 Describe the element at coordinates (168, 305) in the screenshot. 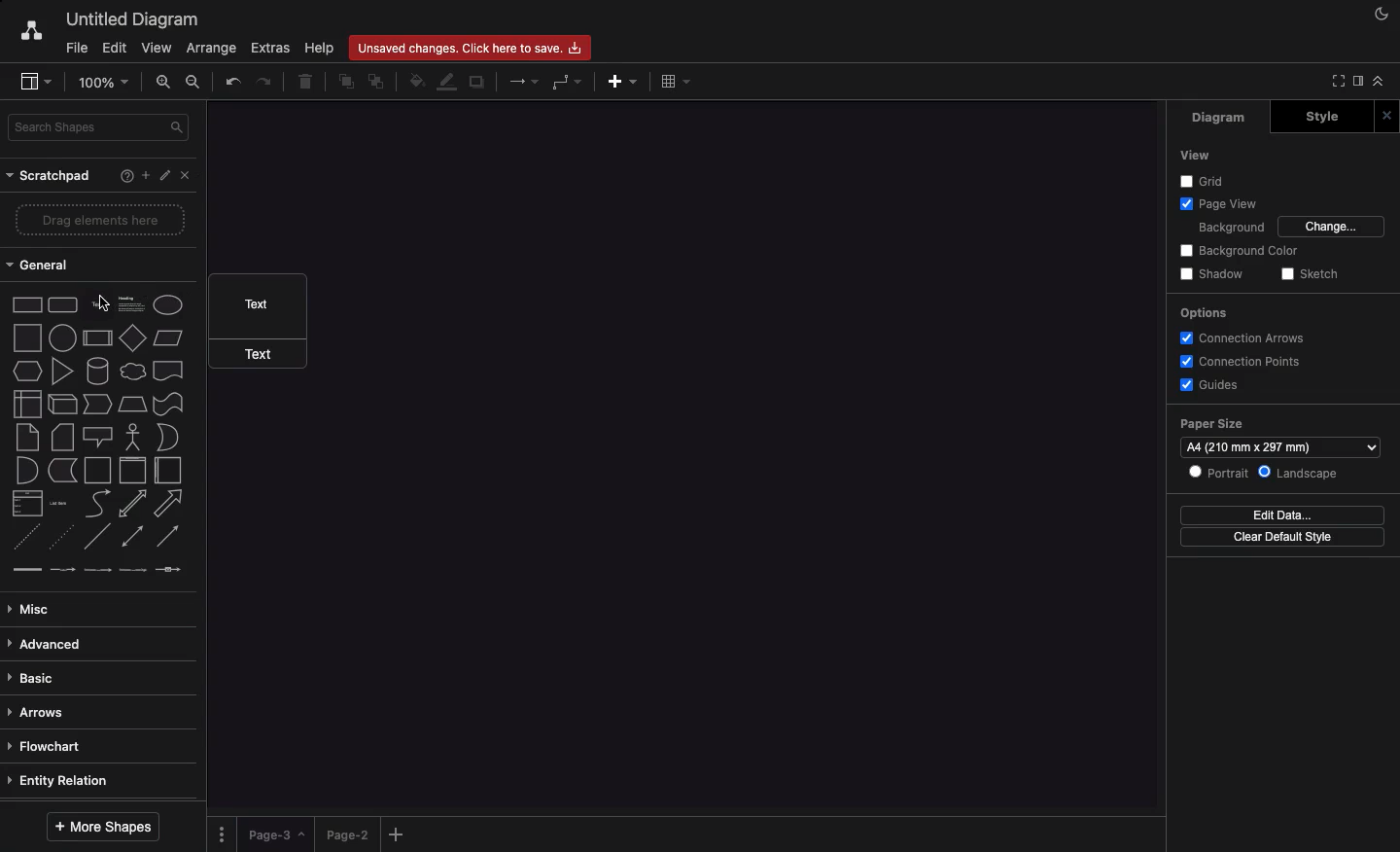

I see `Ellipse` at that location.